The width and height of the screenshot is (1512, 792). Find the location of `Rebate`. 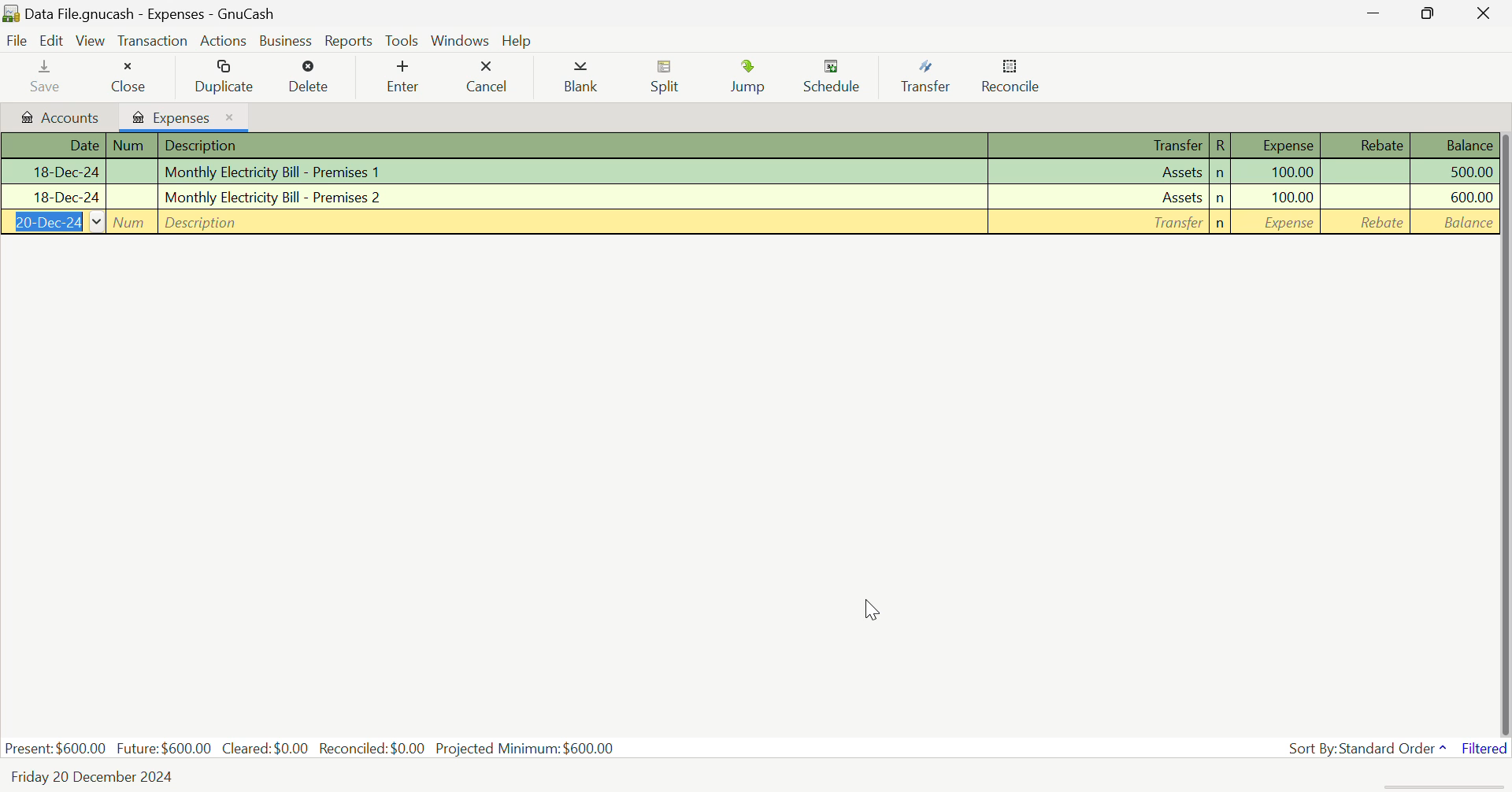

Rebate is located at coordinates (1366, 222).